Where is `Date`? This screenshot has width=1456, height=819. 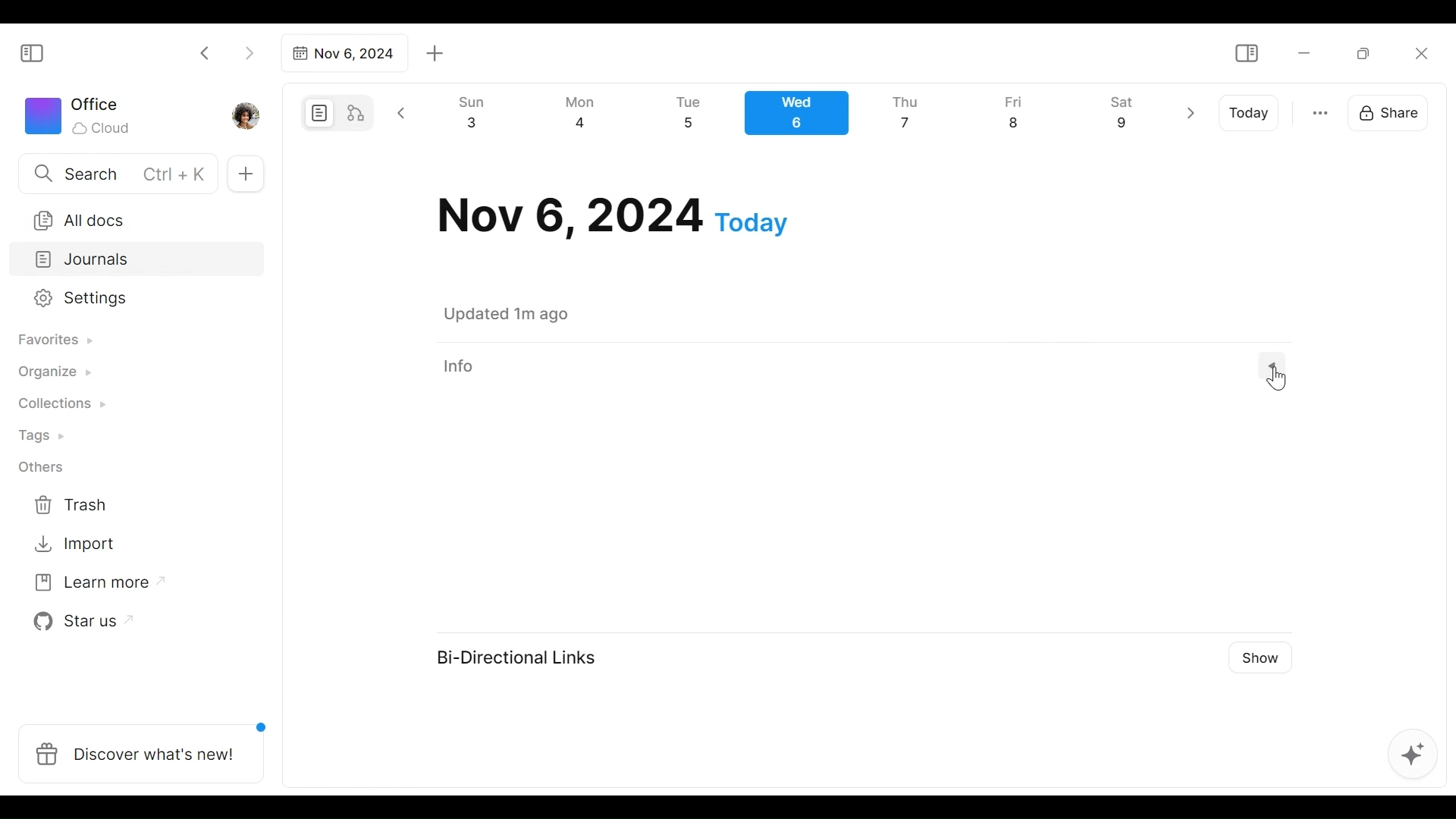
Date is located at coordinates (613, 216).